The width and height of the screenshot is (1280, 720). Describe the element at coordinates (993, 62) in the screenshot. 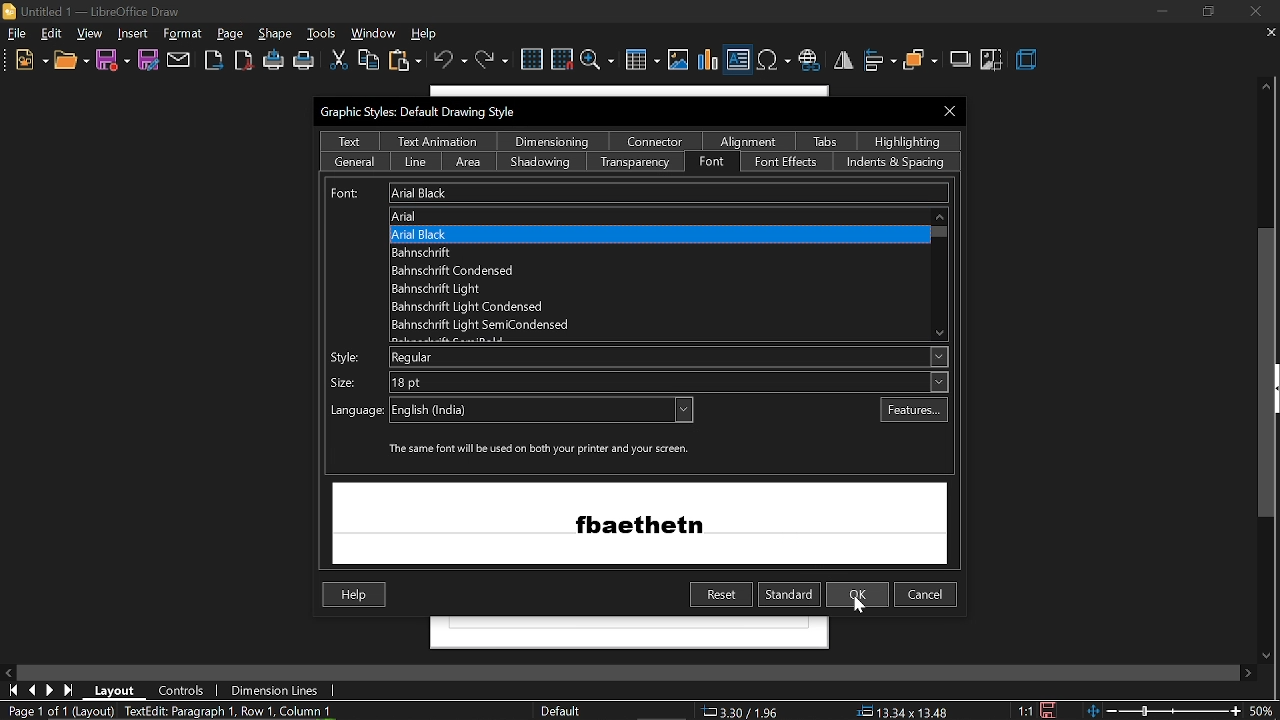

I see `crop` at that location.